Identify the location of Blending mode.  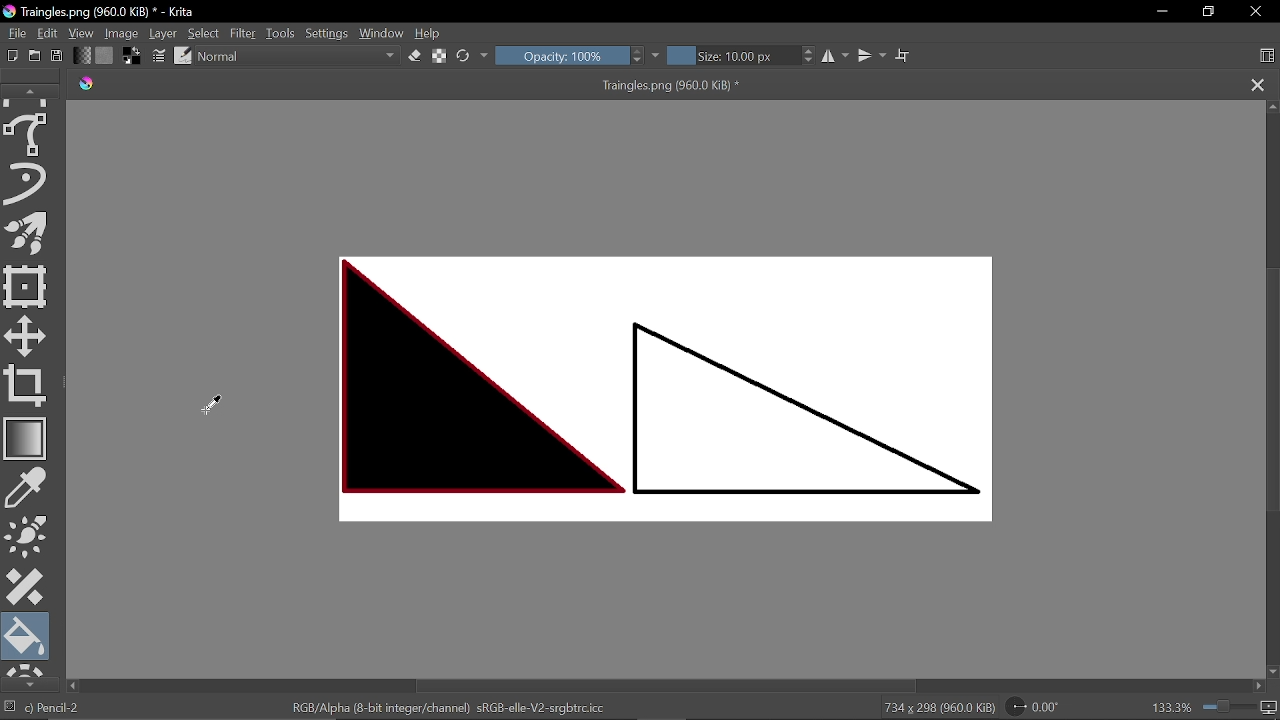
(298, 57).